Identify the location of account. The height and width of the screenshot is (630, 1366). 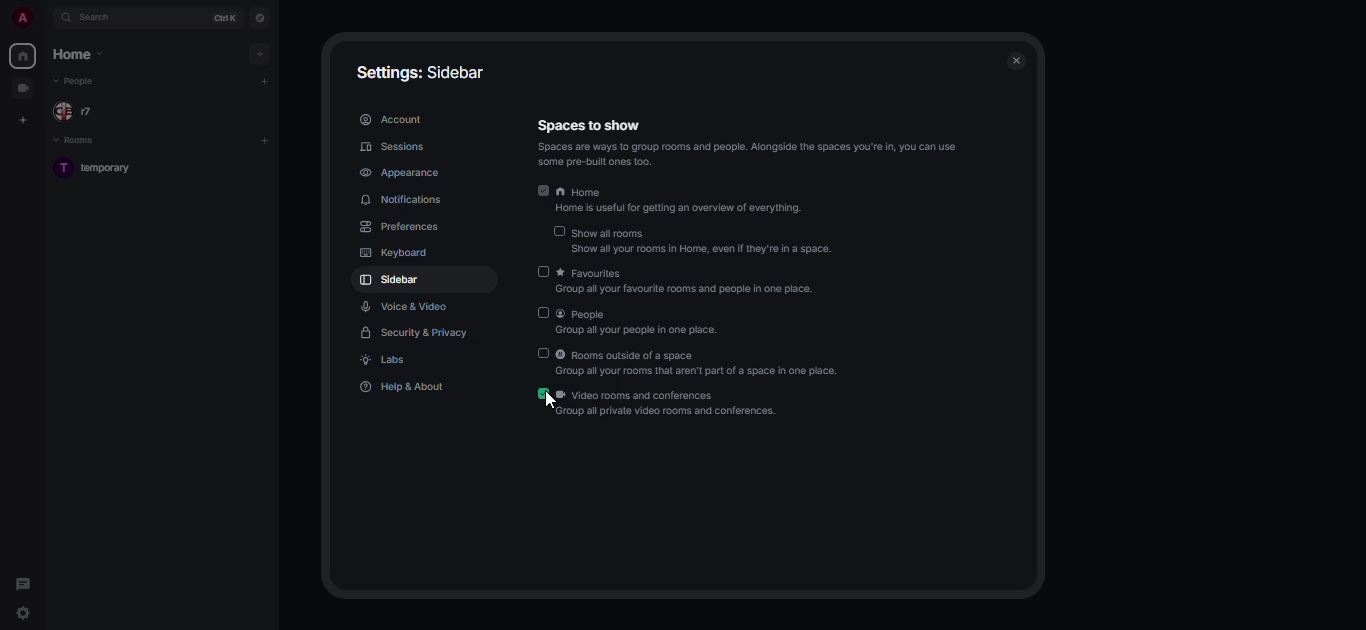
(392, 120).